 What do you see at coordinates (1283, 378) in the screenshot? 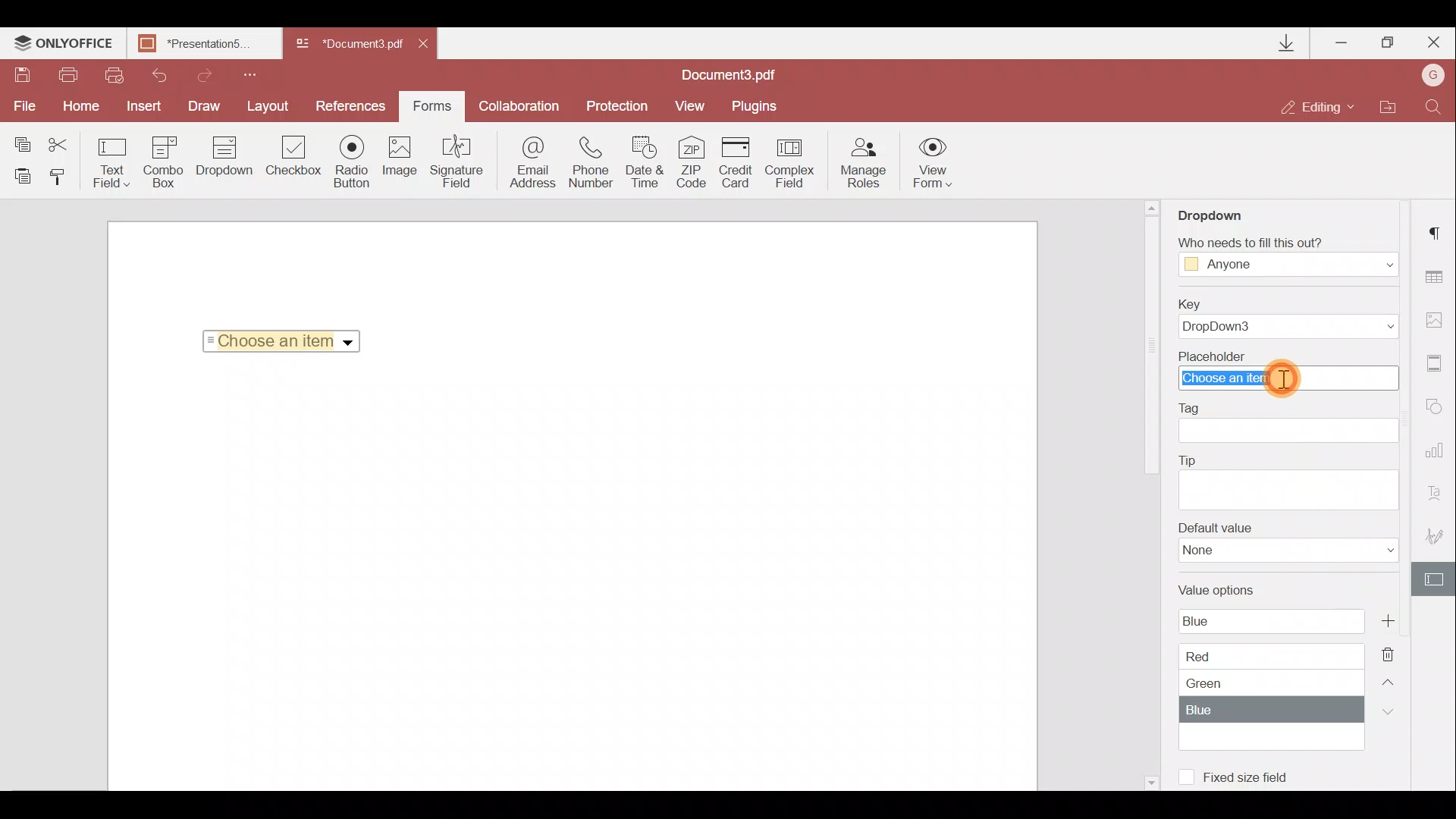
I see `Cursor` at bounding box center [1283, 378].